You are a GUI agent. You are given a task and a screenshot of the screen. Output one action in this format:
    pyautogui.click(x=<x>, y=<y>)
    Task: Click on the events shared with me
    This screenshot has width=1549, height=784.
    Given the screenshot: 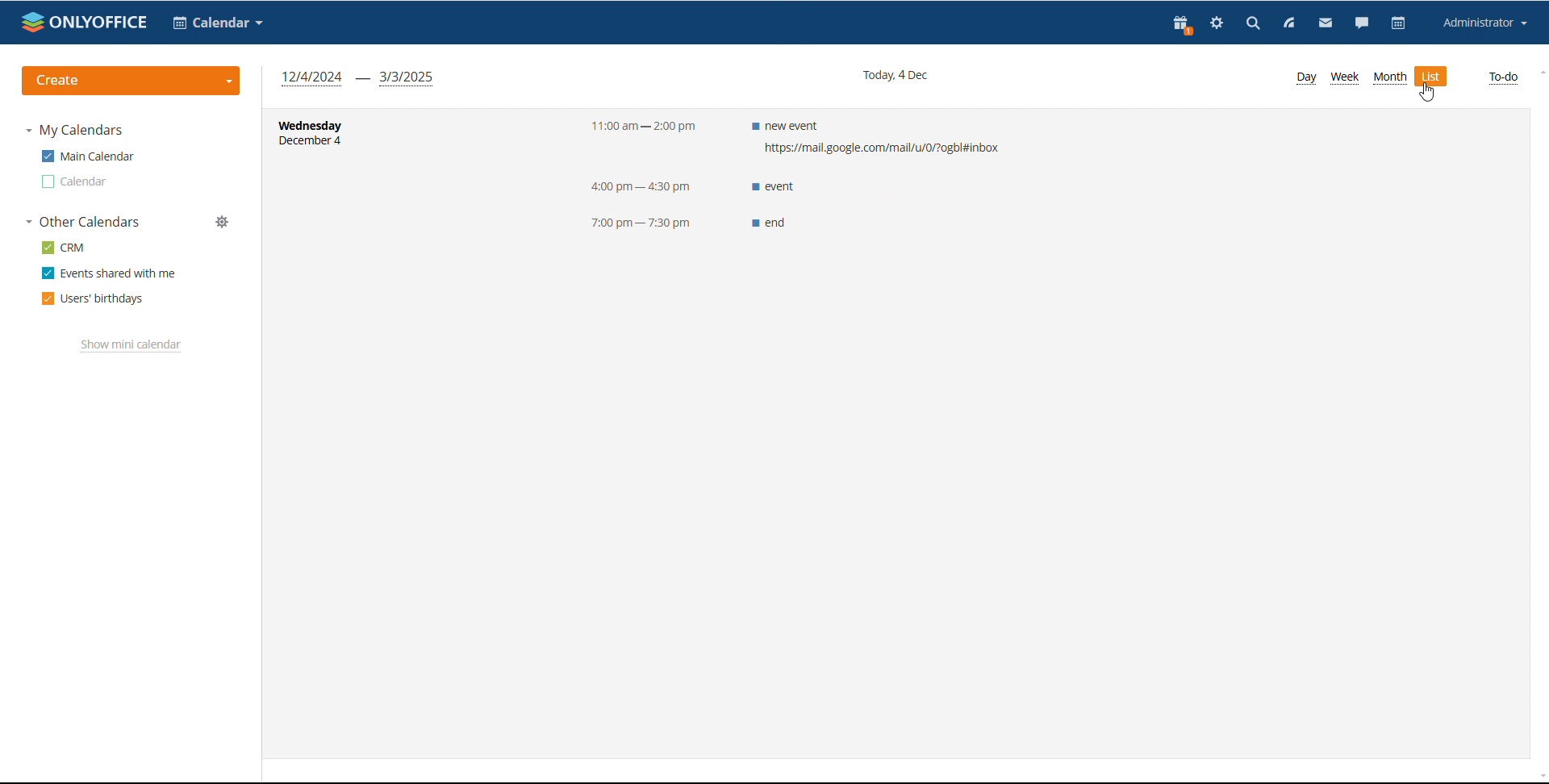 What is the action you would take?
    pyautogui.click(x=108, y=273)
    